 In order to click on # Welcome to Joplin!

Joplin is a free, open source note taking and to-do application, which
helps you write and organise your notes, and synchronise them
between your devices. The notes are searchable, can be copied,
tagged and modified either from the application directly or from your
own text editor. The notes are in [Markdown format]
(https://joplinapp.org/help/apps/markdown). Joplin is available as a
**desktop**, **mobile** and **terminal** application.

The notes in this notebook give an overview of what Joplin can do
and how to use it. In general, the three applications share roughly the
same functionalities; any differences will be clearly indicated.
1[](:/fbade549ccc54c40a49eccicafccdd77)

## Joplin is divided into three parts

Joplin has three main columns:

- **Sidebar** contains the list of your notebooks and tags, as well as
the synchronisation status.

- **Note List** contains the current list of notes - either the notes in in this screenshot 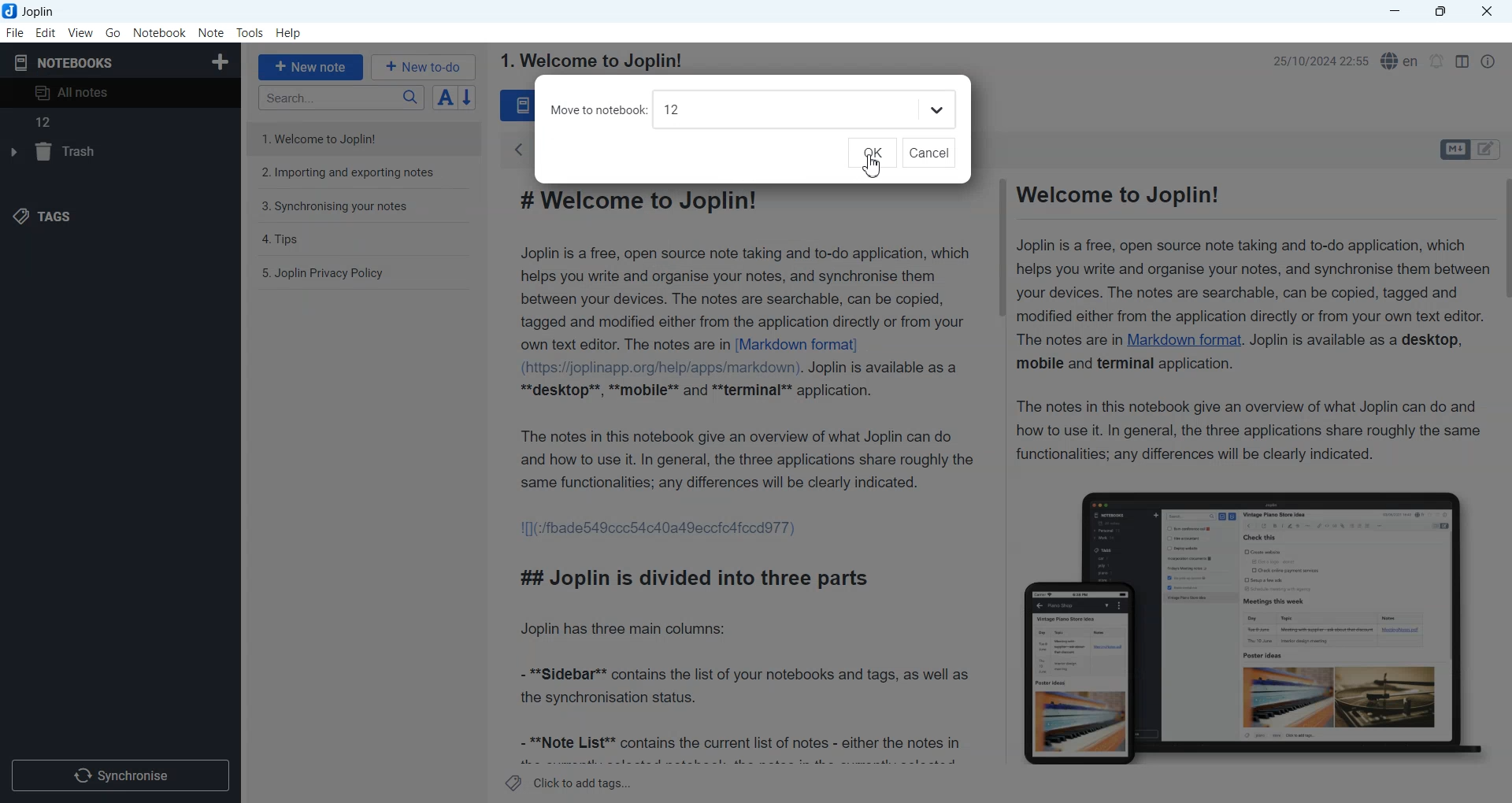, I will do `click(746, 478)`.